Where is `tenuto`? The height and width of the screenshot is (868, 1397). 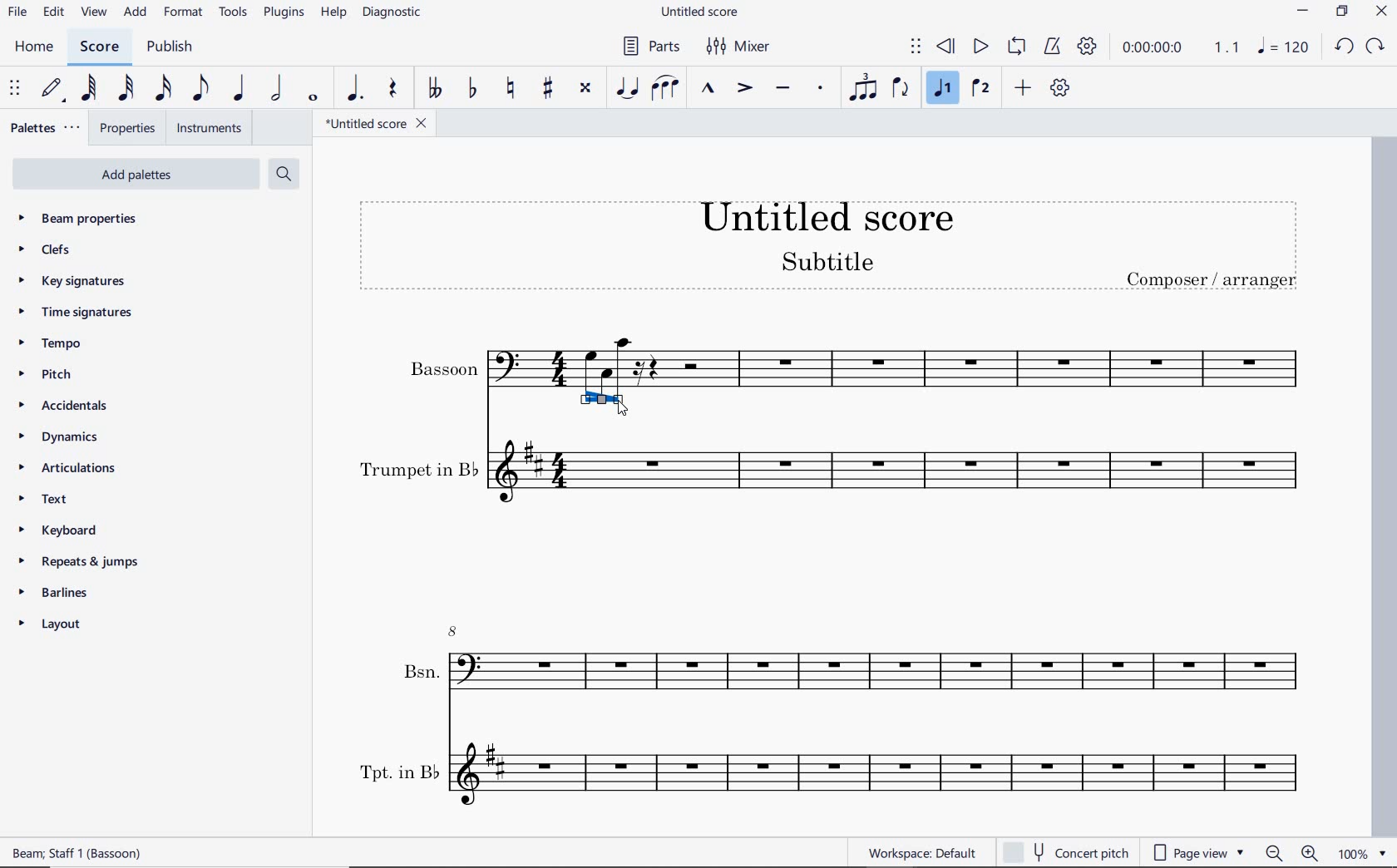
tenuto is located at coordinates (787, 88).